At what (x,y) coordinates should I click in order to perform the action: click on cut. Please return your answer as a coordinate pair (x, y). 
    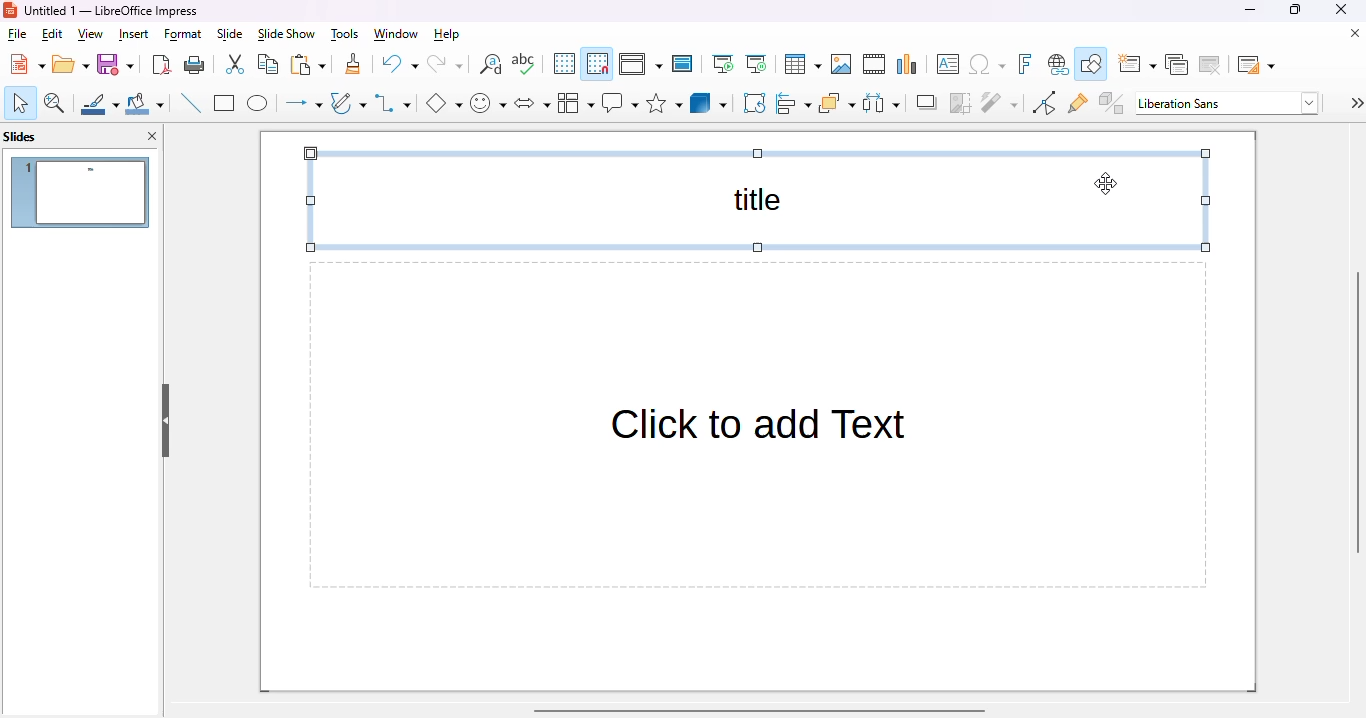
    Looking at the image, I should click on (236, 64).